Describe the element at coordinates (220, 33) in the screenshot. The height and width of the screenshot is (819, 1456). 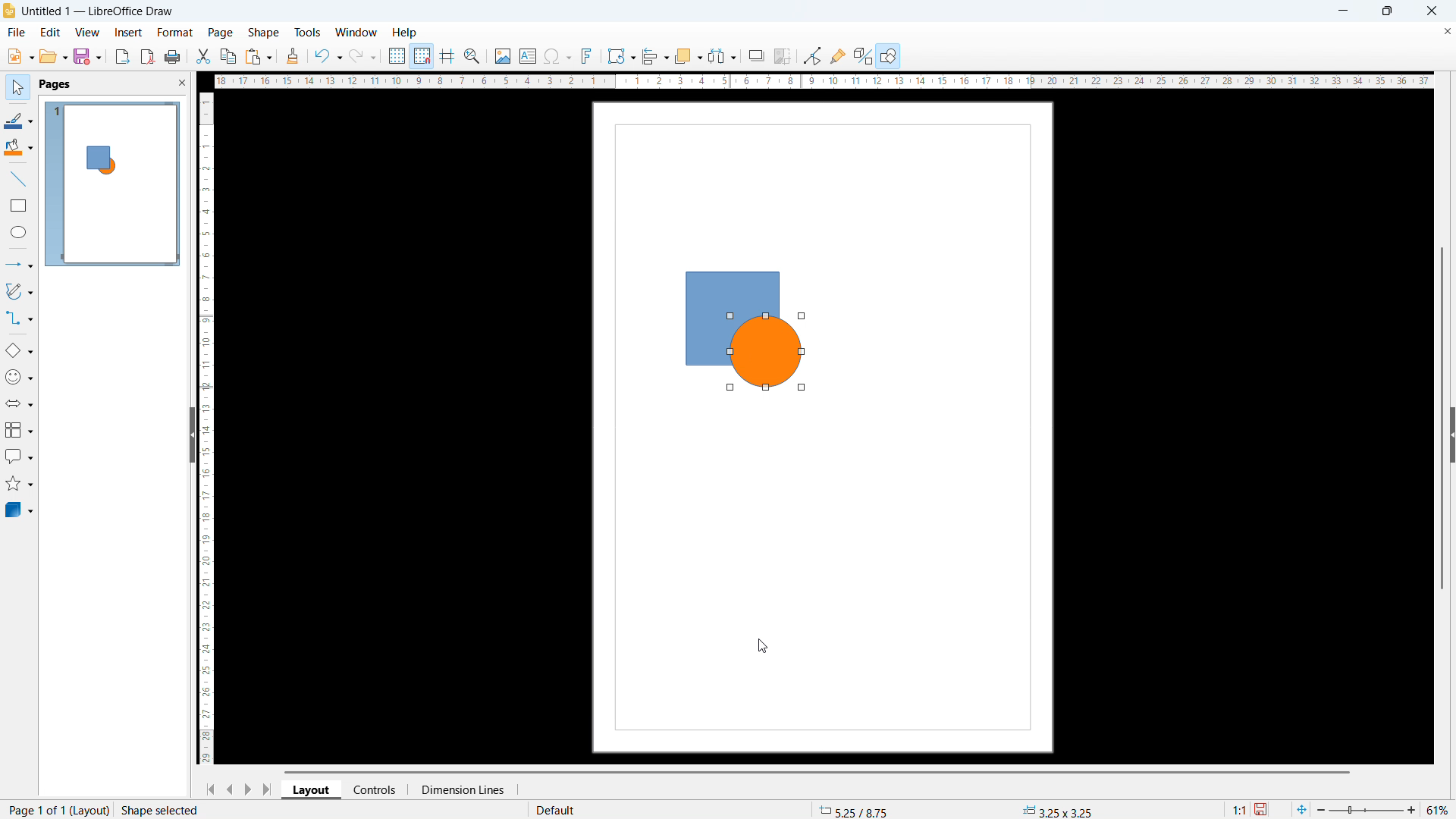
I see `Page ` at that location.